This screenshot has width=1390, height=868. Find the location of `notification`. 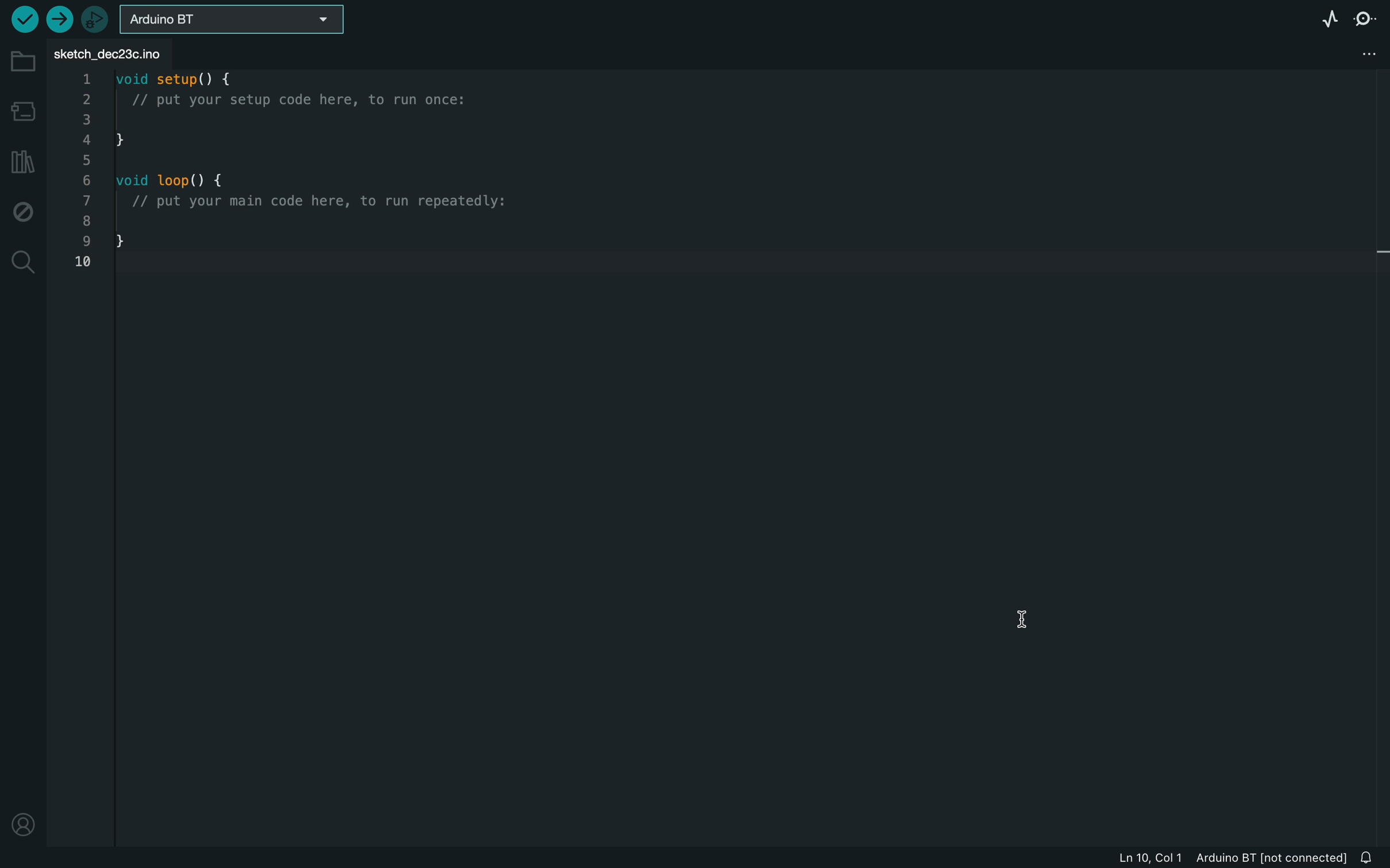

notification is located at coordinates (1372, 855).